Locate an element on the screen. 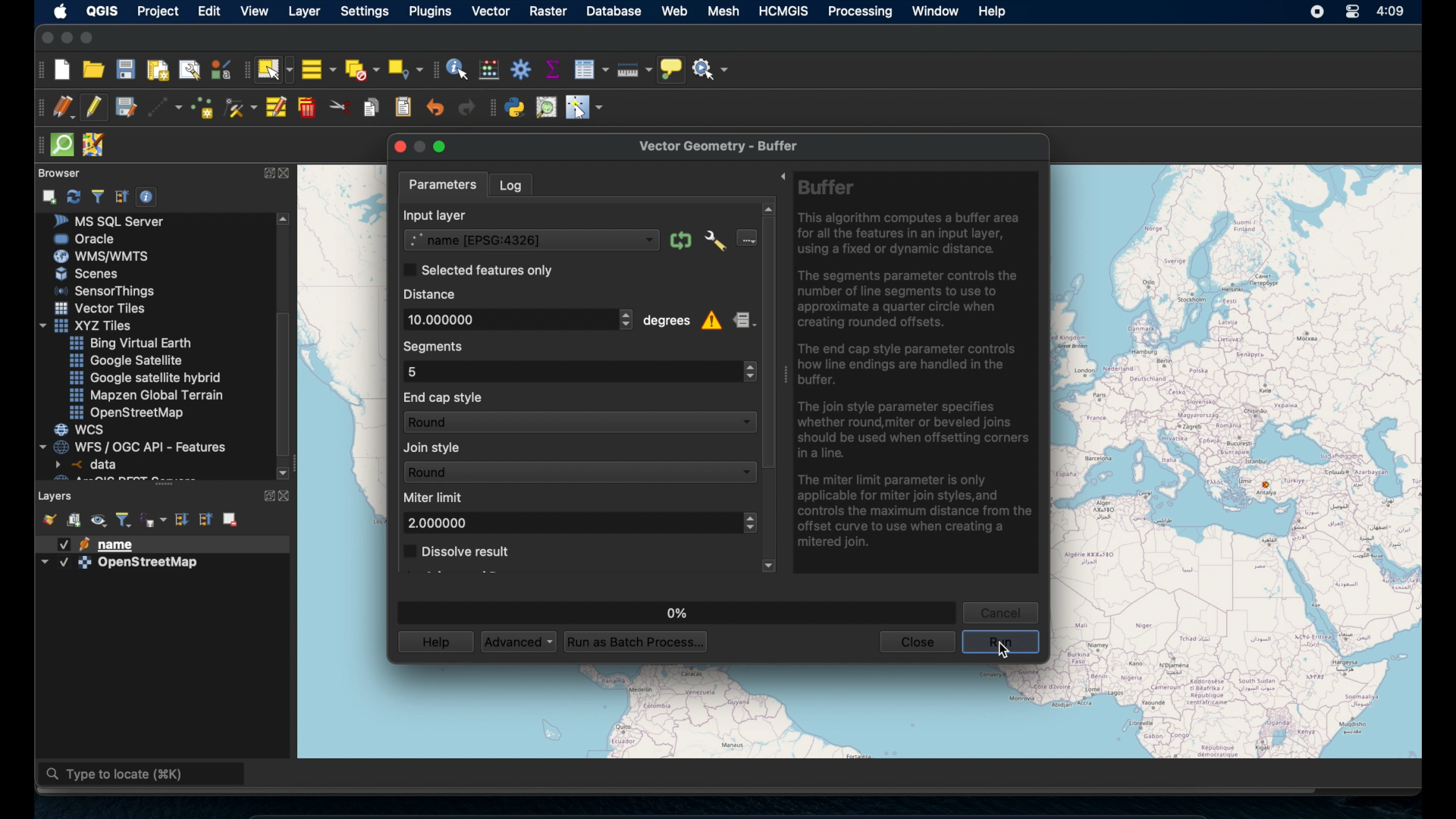 The width and height of the screenshot is (1456, 819). refresh is located at coordinates (74, 195).